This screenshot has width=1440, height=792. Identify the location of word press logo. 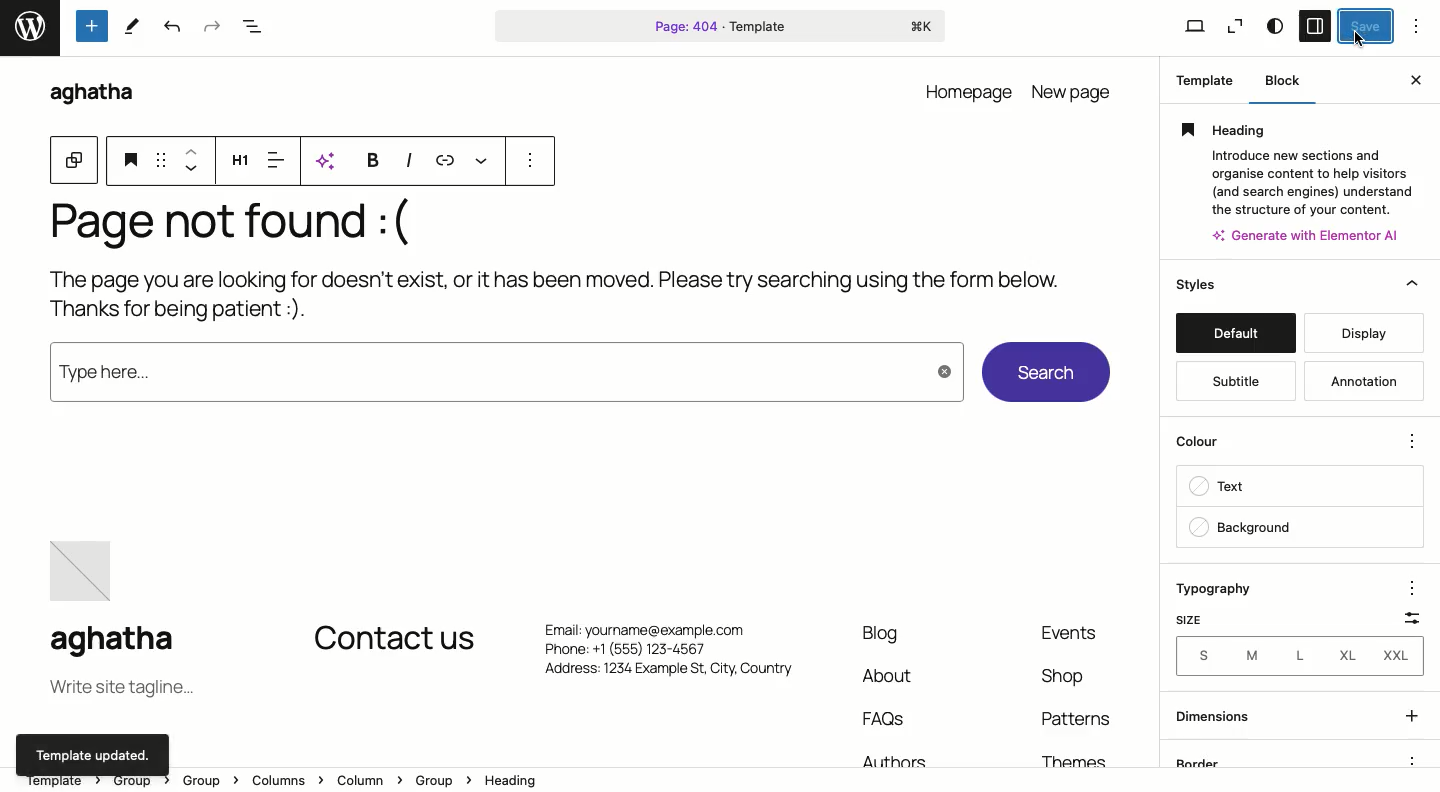
(29, 28).